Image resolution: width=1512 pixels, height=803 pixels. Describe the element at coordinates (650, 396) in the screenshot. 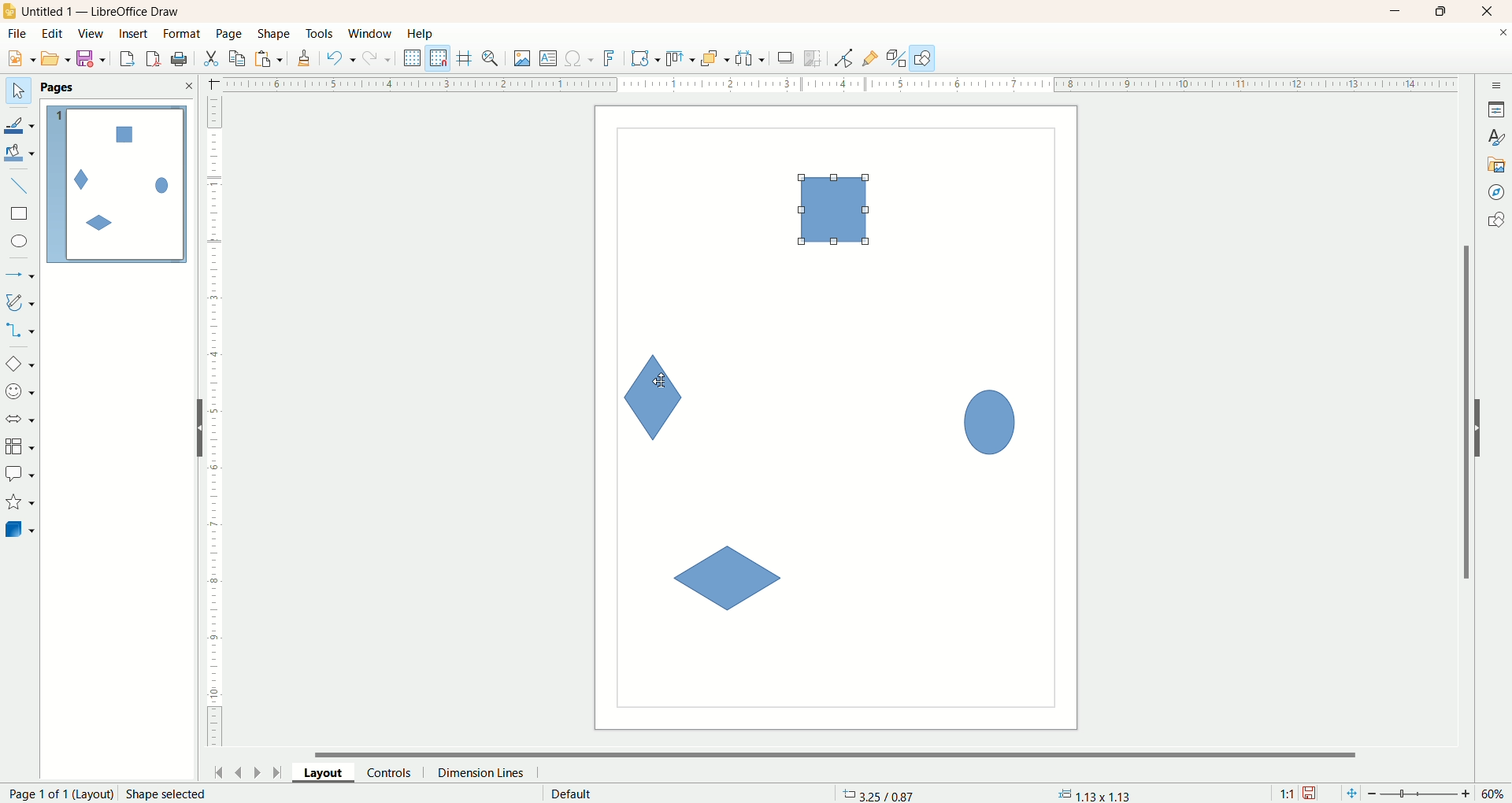

I see `selected shape` at that location.